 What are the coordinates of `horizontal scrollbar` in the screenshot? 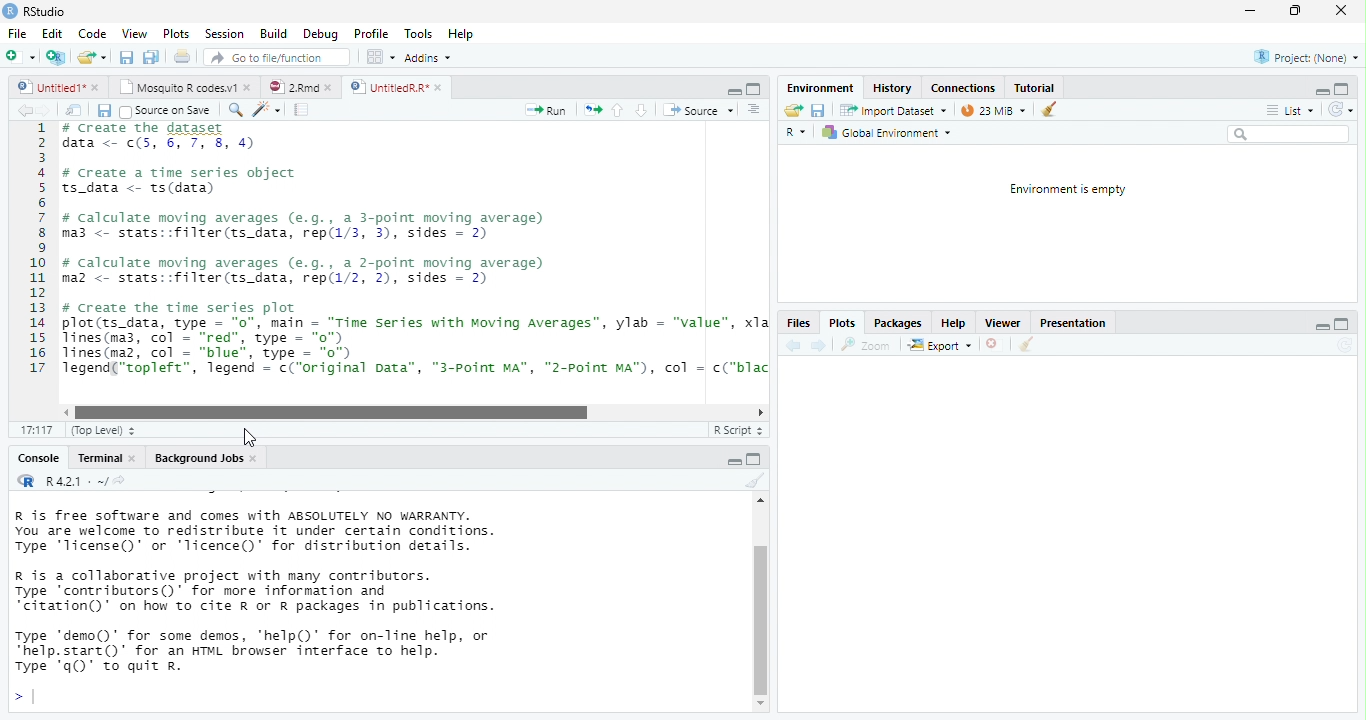 It's located at (332, 413).